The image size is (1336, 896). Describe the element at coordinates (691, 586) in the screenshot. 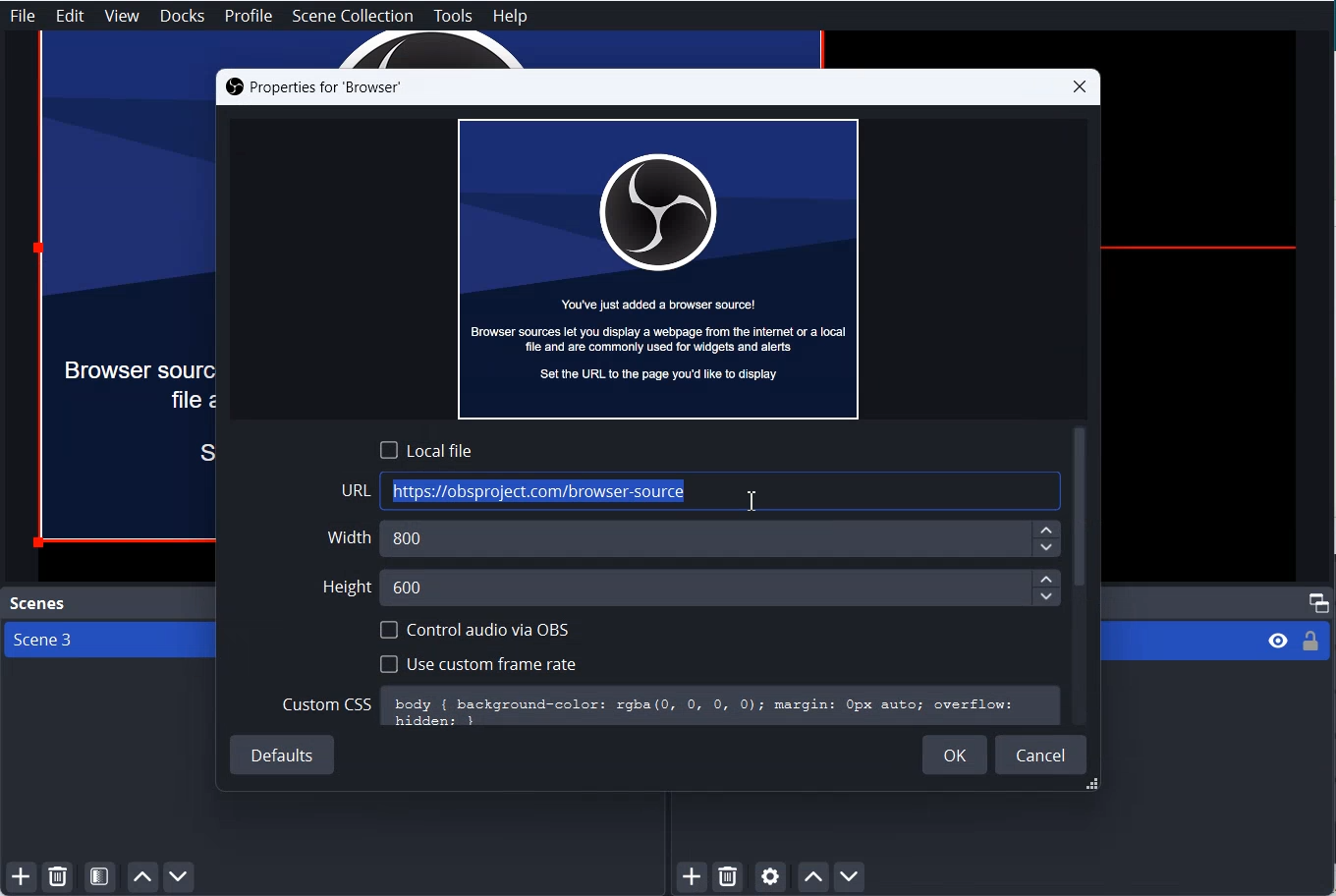

I see `Enter Height` at that location.